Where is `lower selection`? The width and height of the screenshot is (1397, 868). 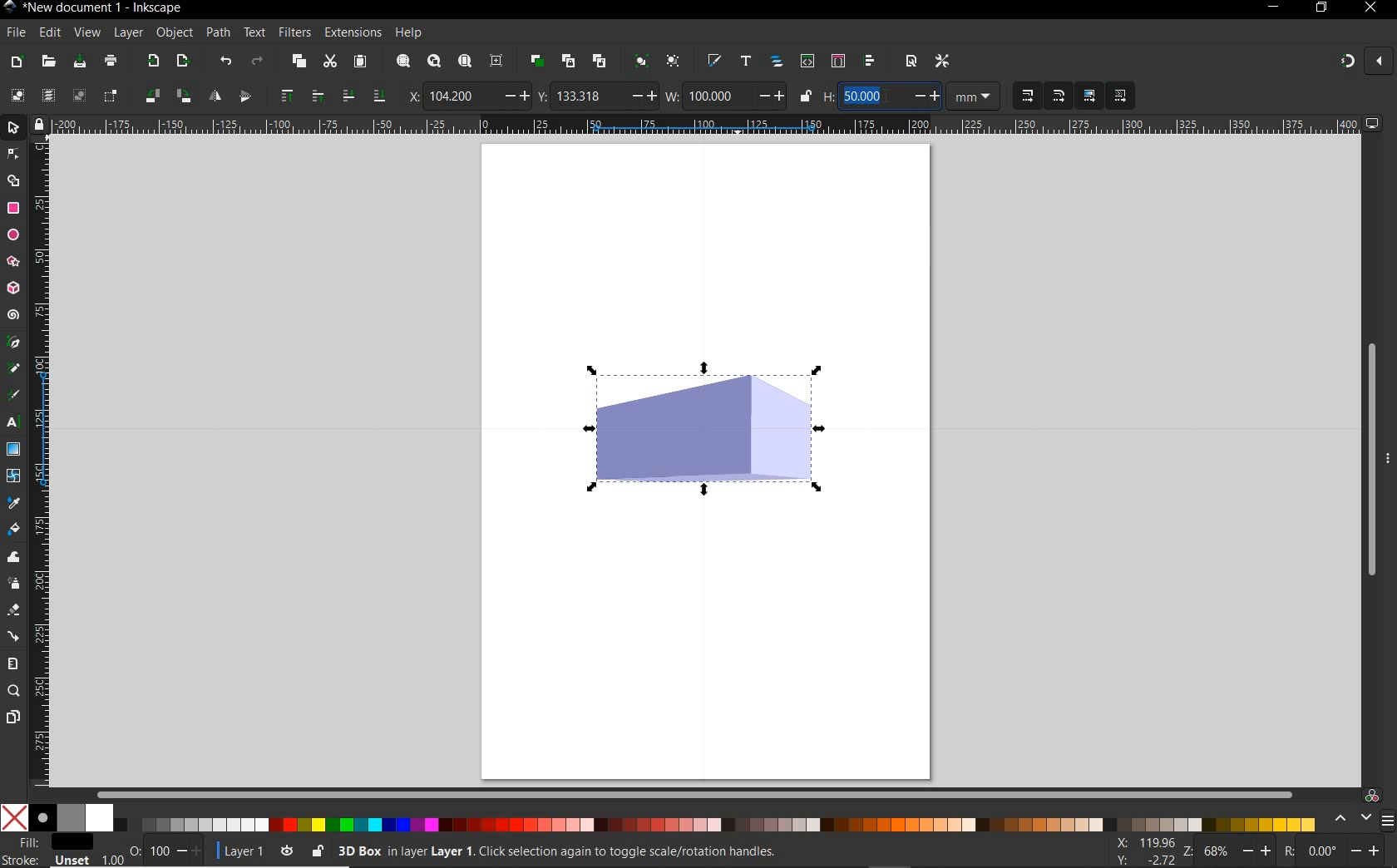 lower selection is located at coordinates (347, 96).